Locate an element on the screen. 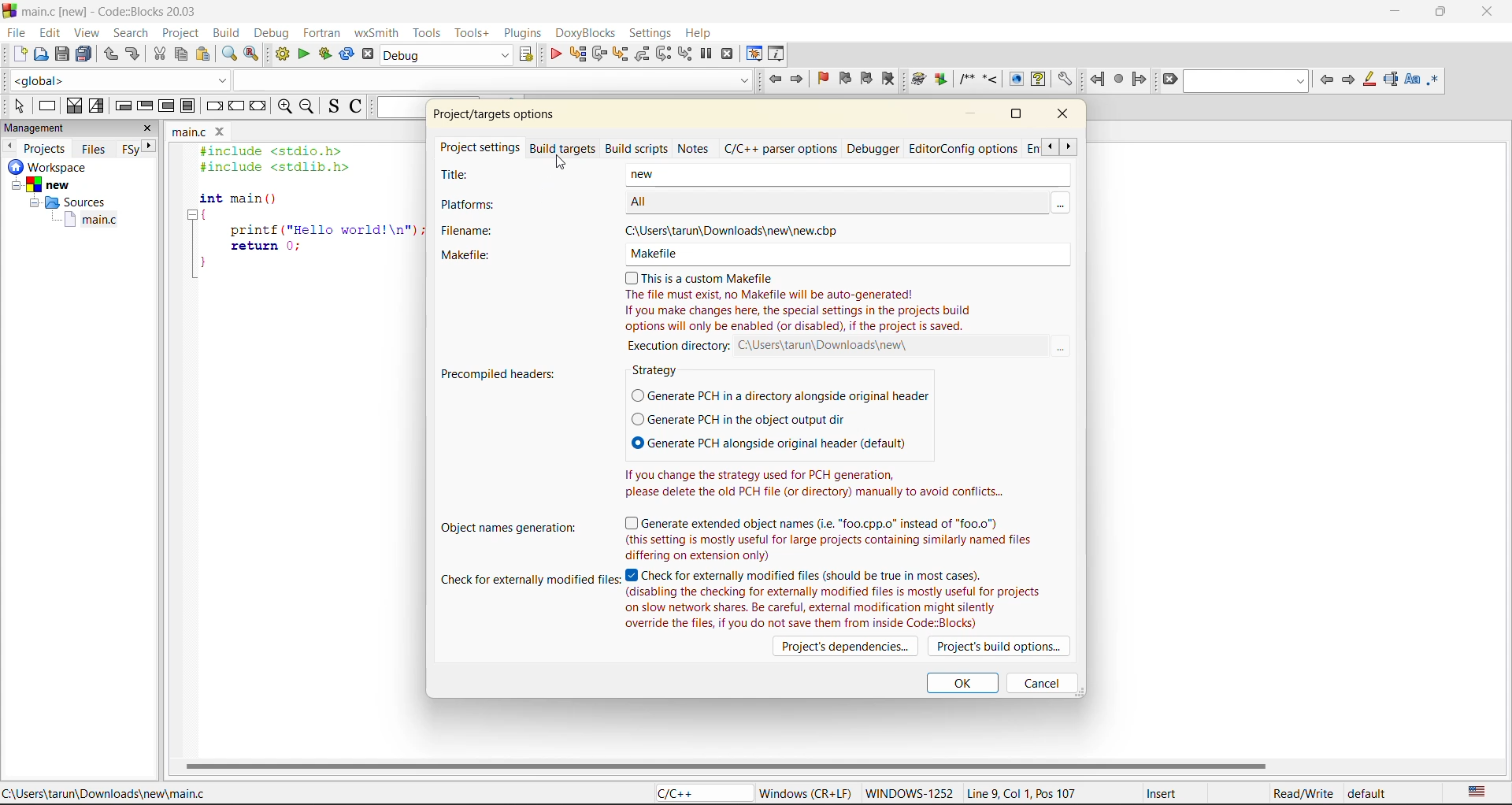 This screenshot has height=805, width=1512. close is located at coordinates (220, 131).